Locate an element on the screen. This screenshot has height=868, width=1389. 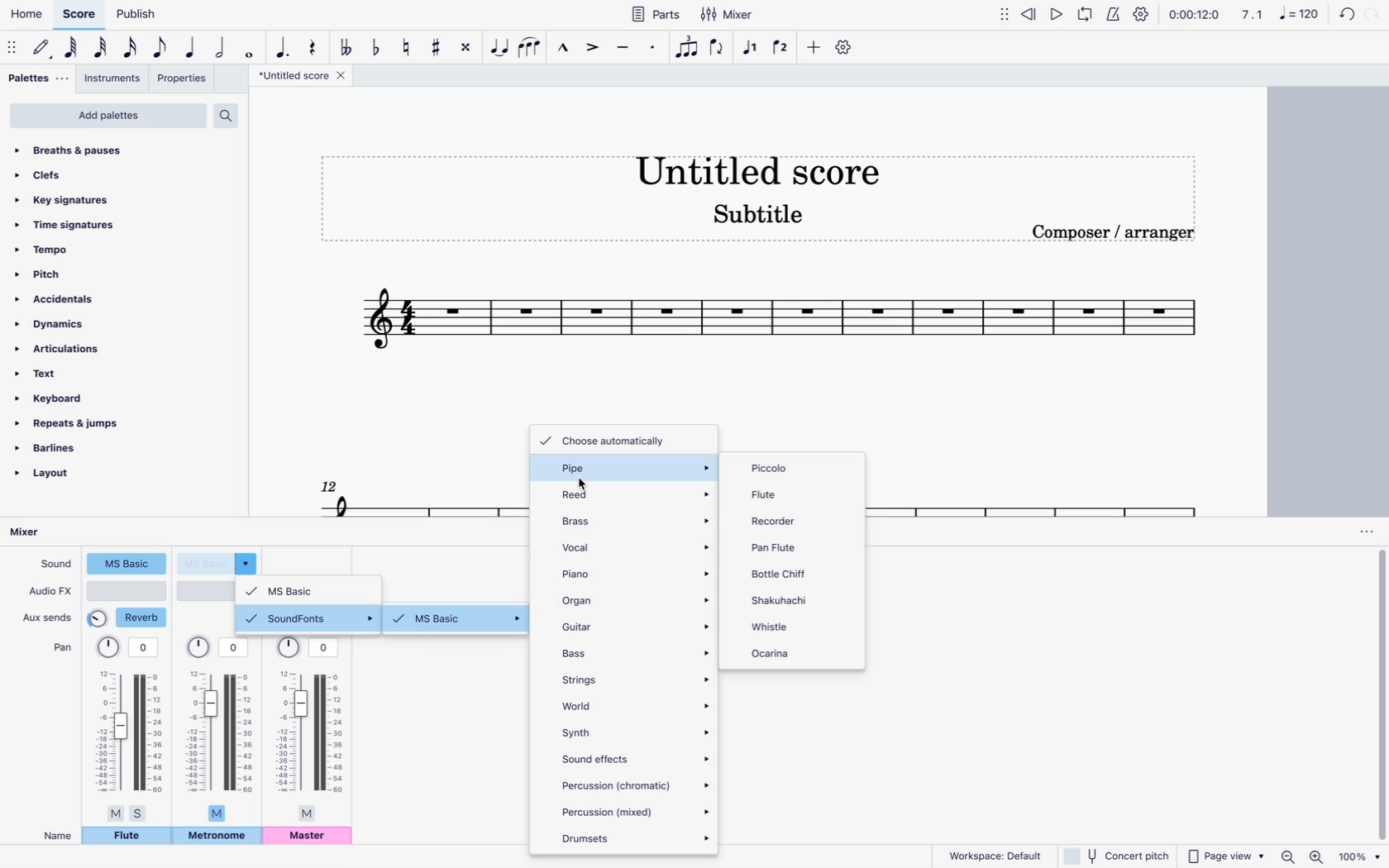
articulations is located at coordinates (80, 349).